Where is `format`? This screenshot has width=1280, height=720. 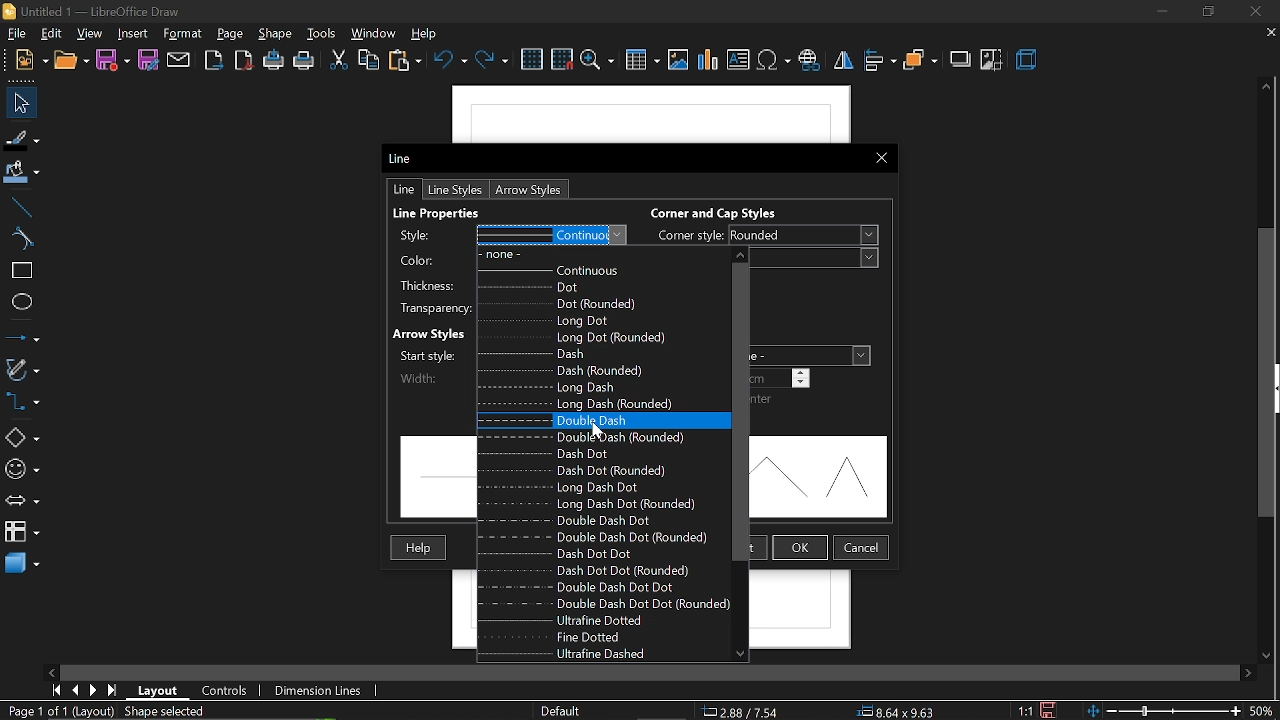
format is located at coordinates (183, 34).